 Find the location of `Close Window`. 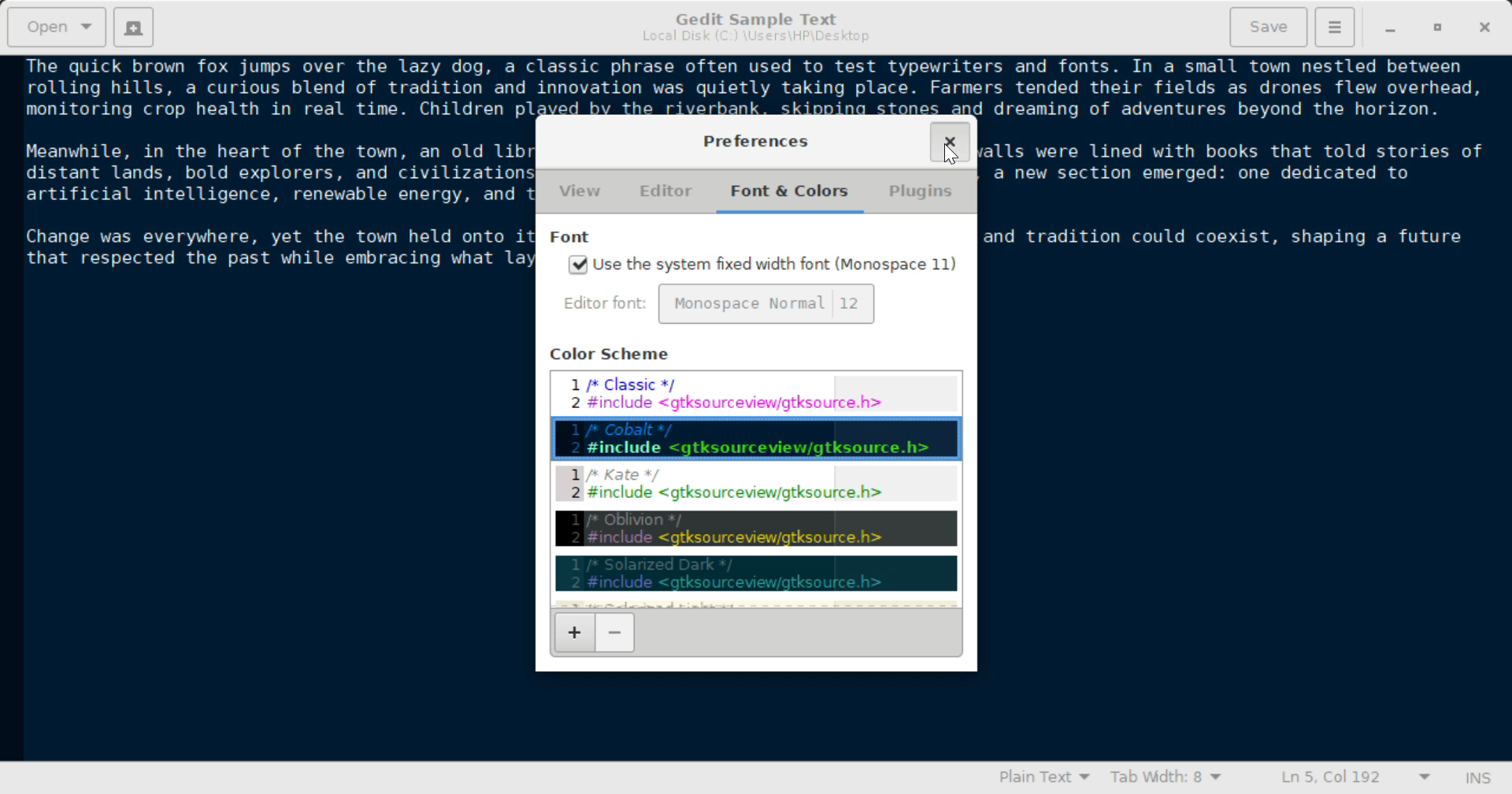

Close Window is located at coordinates (1483, 28).